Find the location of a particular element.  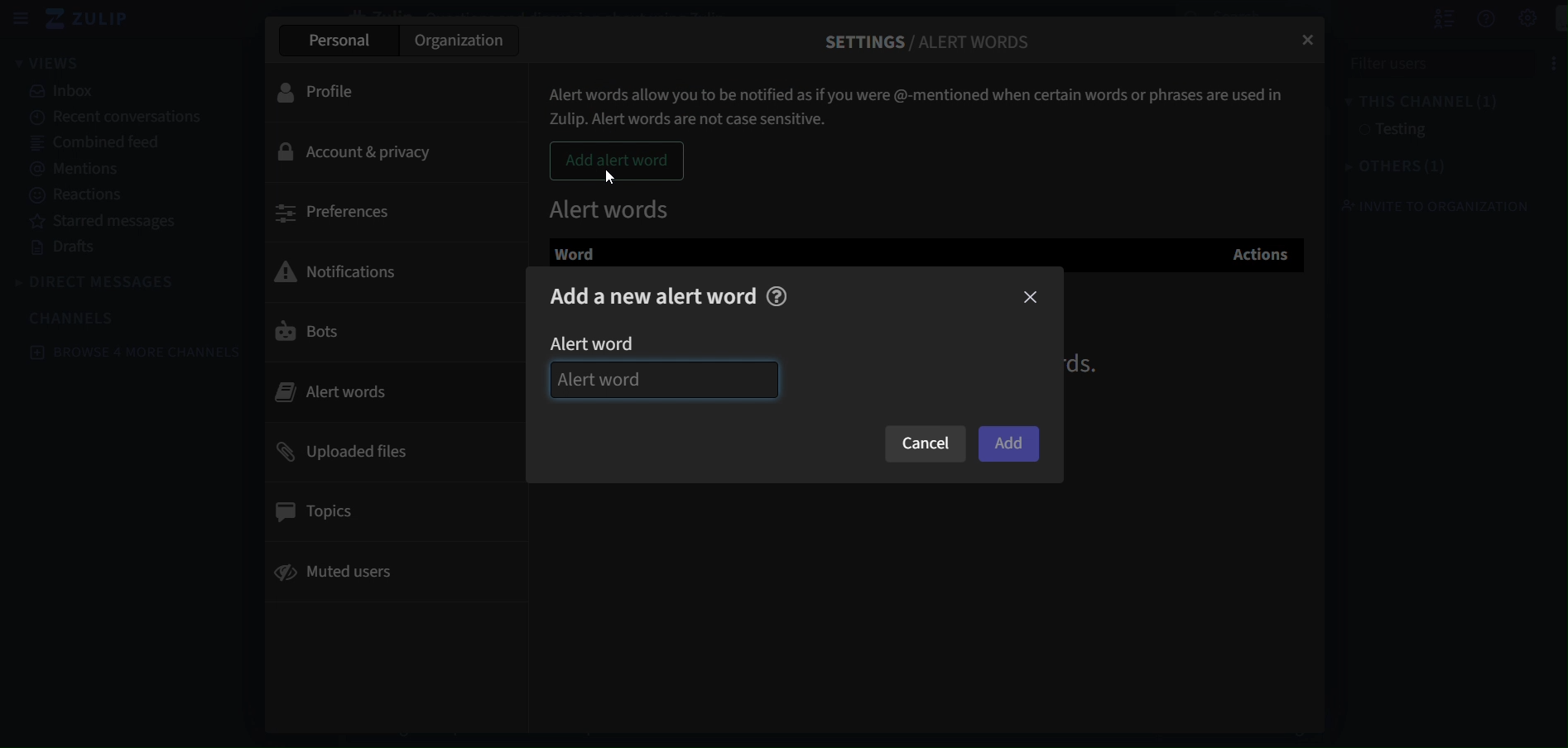

bots is located at coordinates (310, 336).